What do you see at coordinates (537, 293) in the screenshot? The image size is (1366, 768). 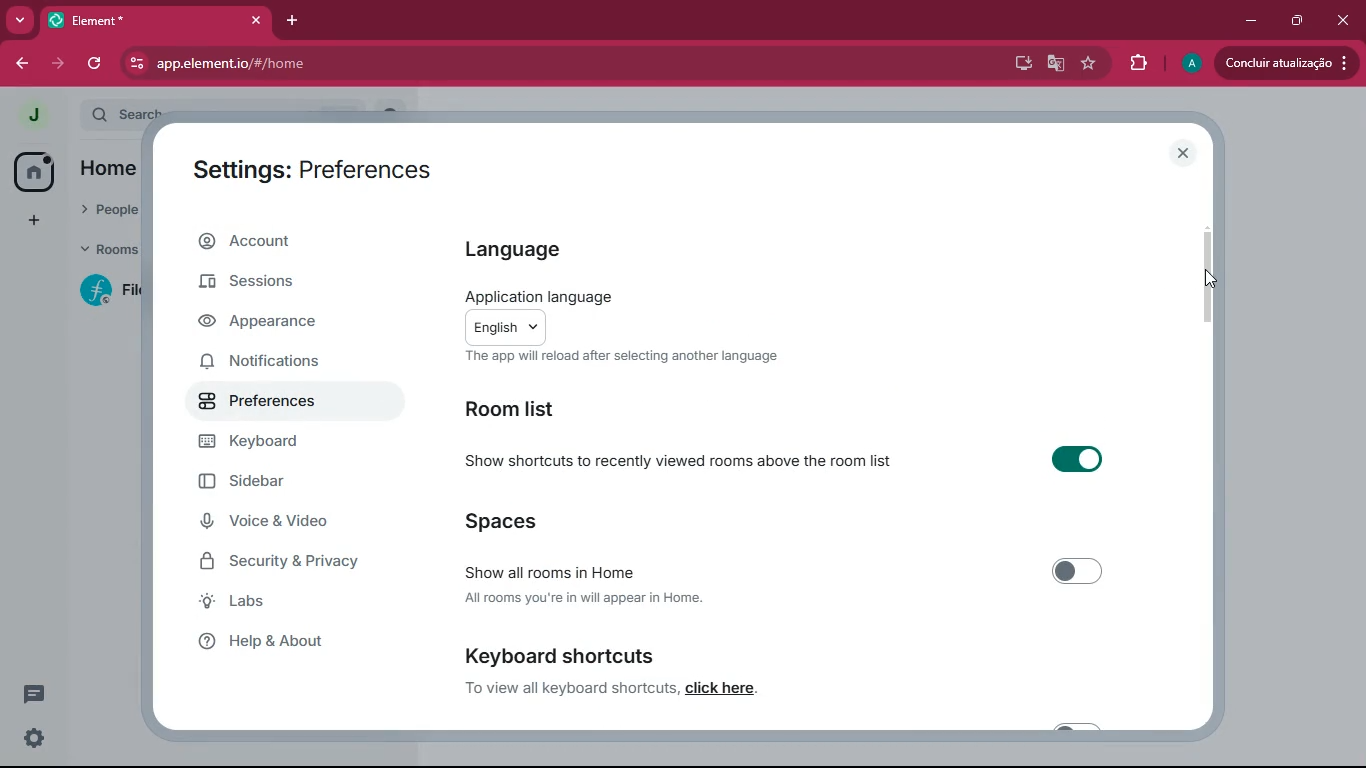 I see `application language ` at bounding box center [537, 293].